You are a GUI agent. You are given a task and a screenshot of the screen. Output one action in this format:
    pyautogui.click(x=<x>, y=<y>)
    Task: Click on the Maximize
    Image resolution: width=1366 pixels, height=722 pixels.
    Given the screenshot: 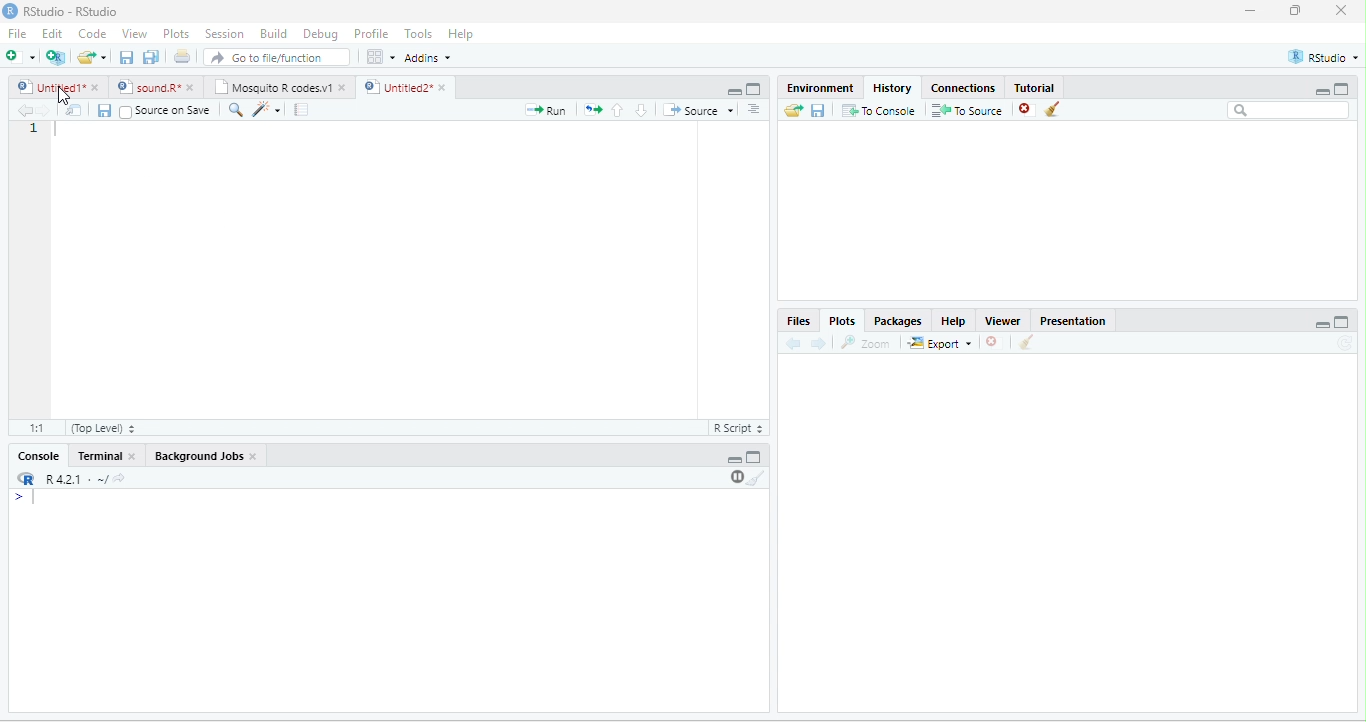 What is the action you would take?
    pyautogui.click(x=754, y=457)
    